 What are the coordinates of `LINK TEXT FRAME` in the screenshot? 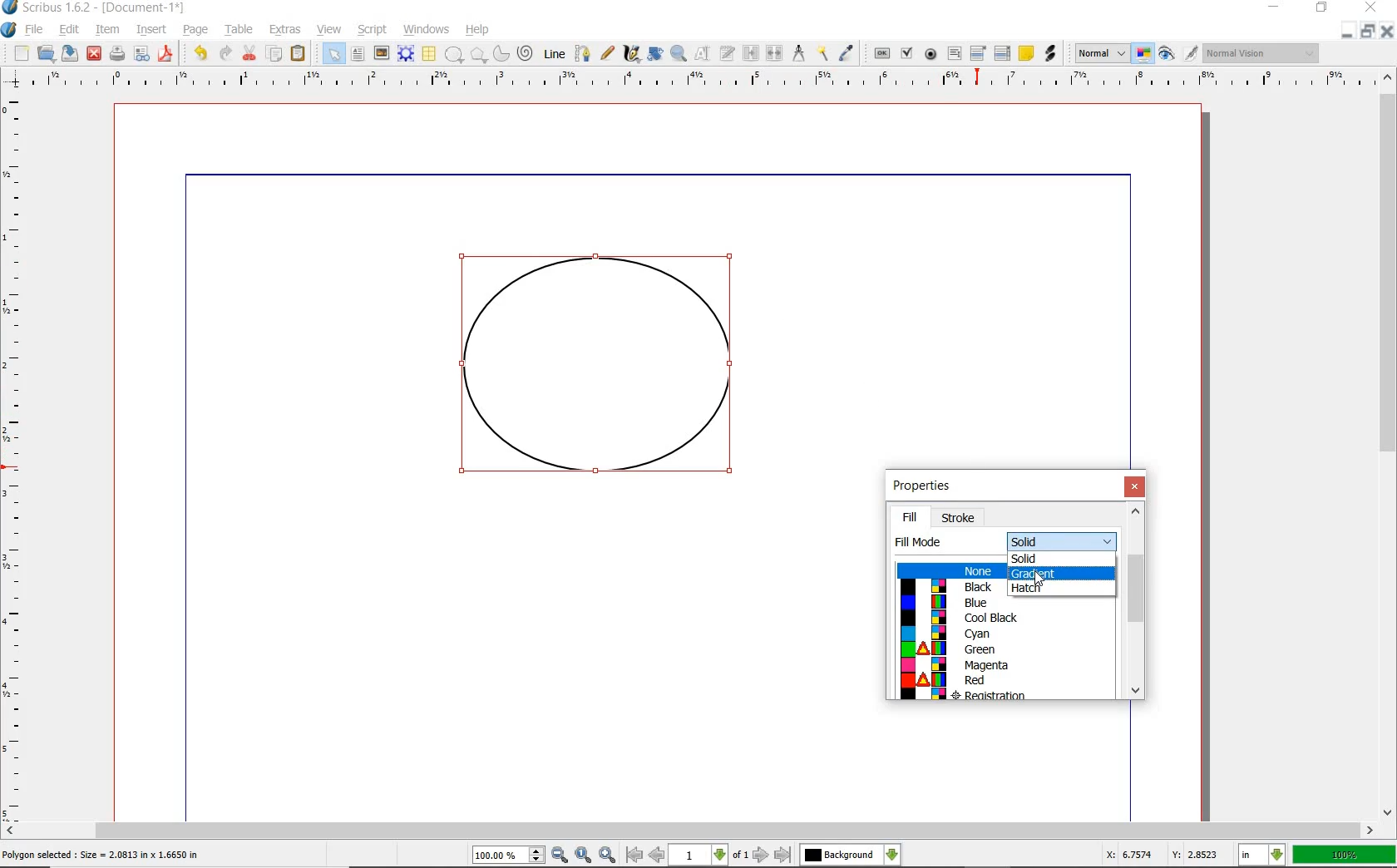 It's located at (751, 52).